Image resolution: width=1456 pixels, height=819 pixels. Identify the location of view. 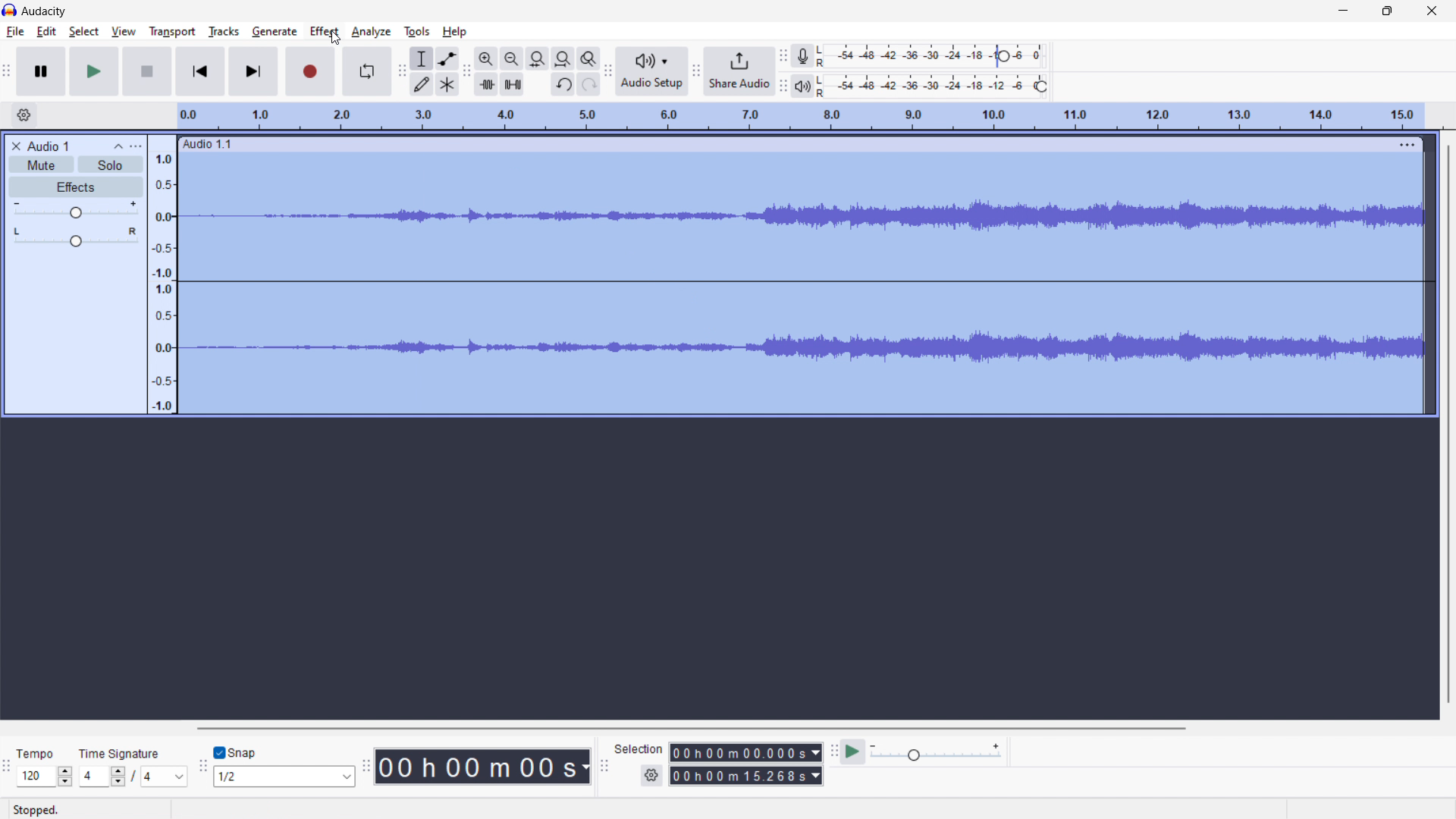
(123, 30).